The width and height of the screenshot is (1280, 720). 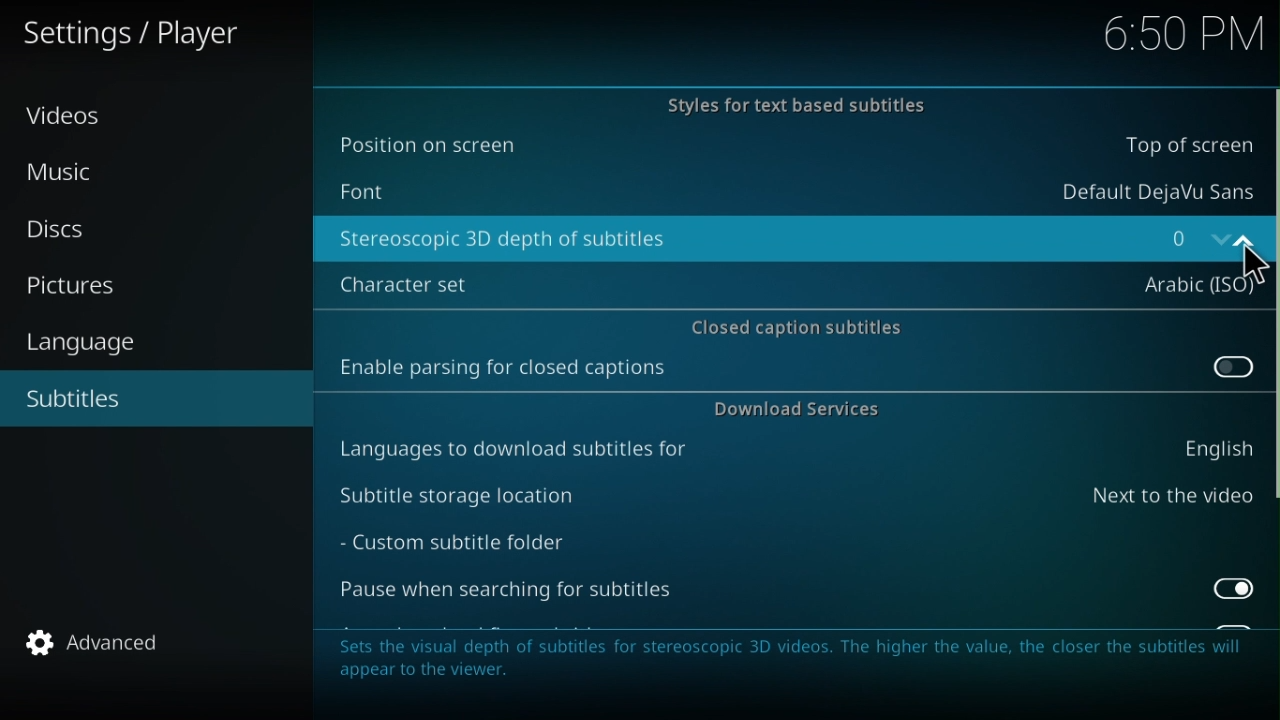 What do you see at coordinates (1247, 269) in the screenshot?
I see `Cursor` at bounding box center [1247, 269].